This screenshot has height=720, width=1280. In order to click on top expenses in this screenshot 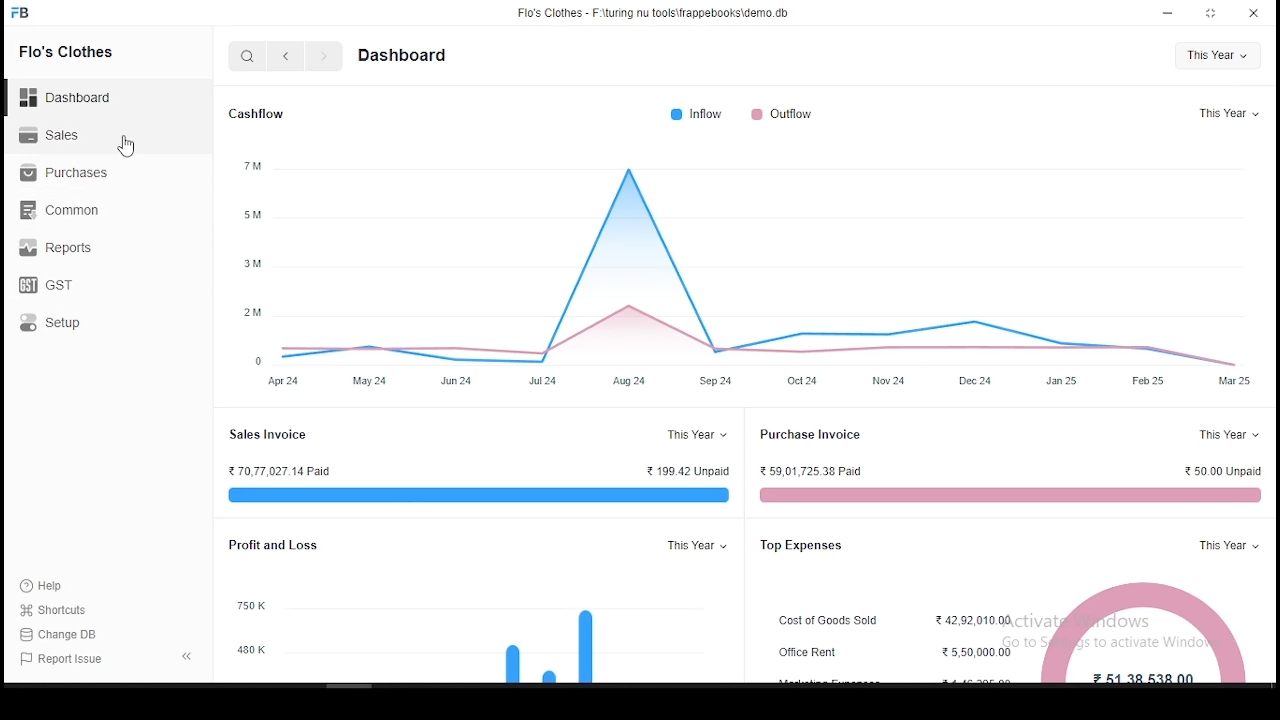, I will do `click(815, 546)`.